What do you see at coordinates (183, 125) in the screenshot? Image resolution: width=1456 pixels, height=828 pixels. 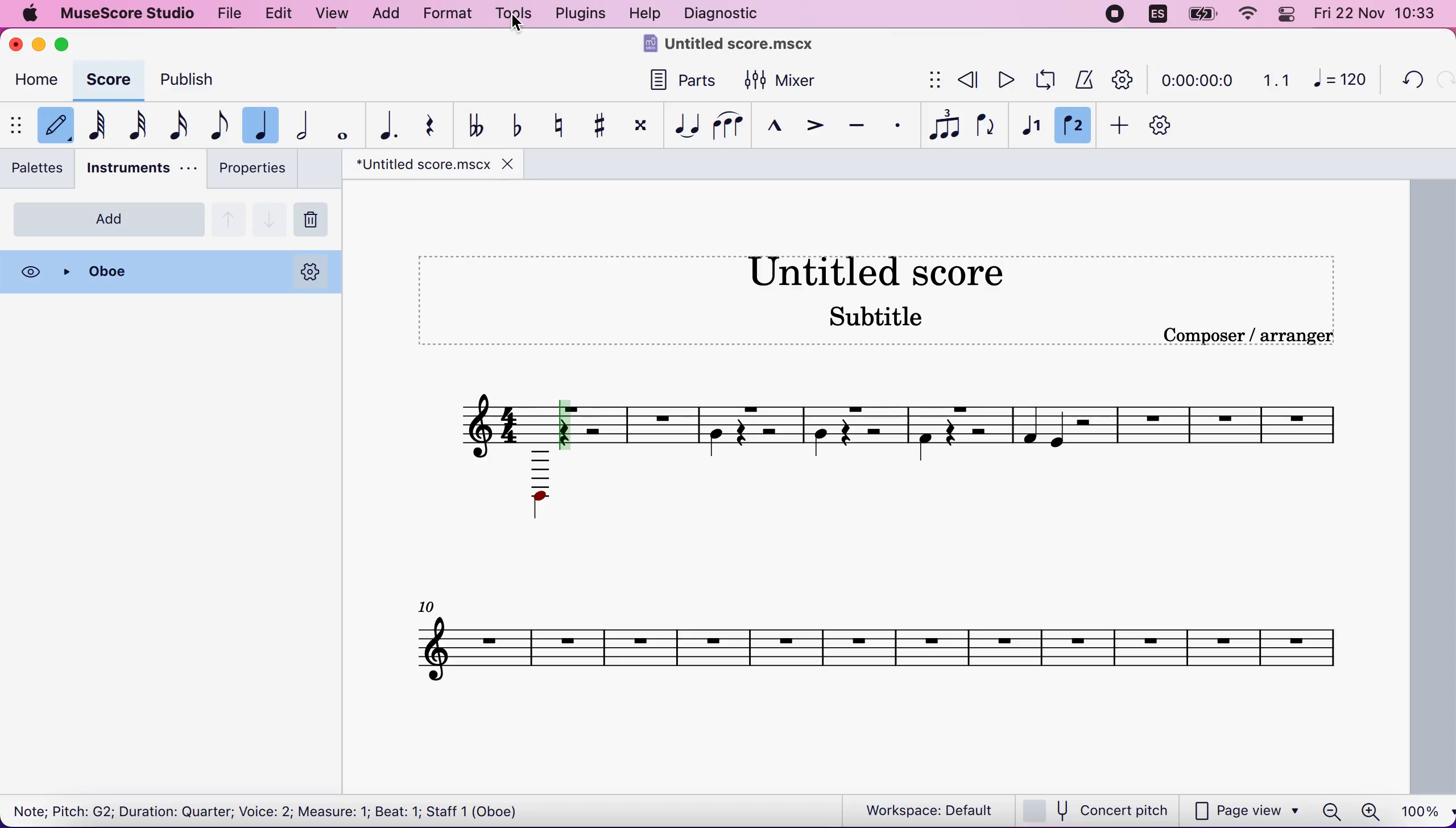 I see `16th note` at bounding box center [183, 125].